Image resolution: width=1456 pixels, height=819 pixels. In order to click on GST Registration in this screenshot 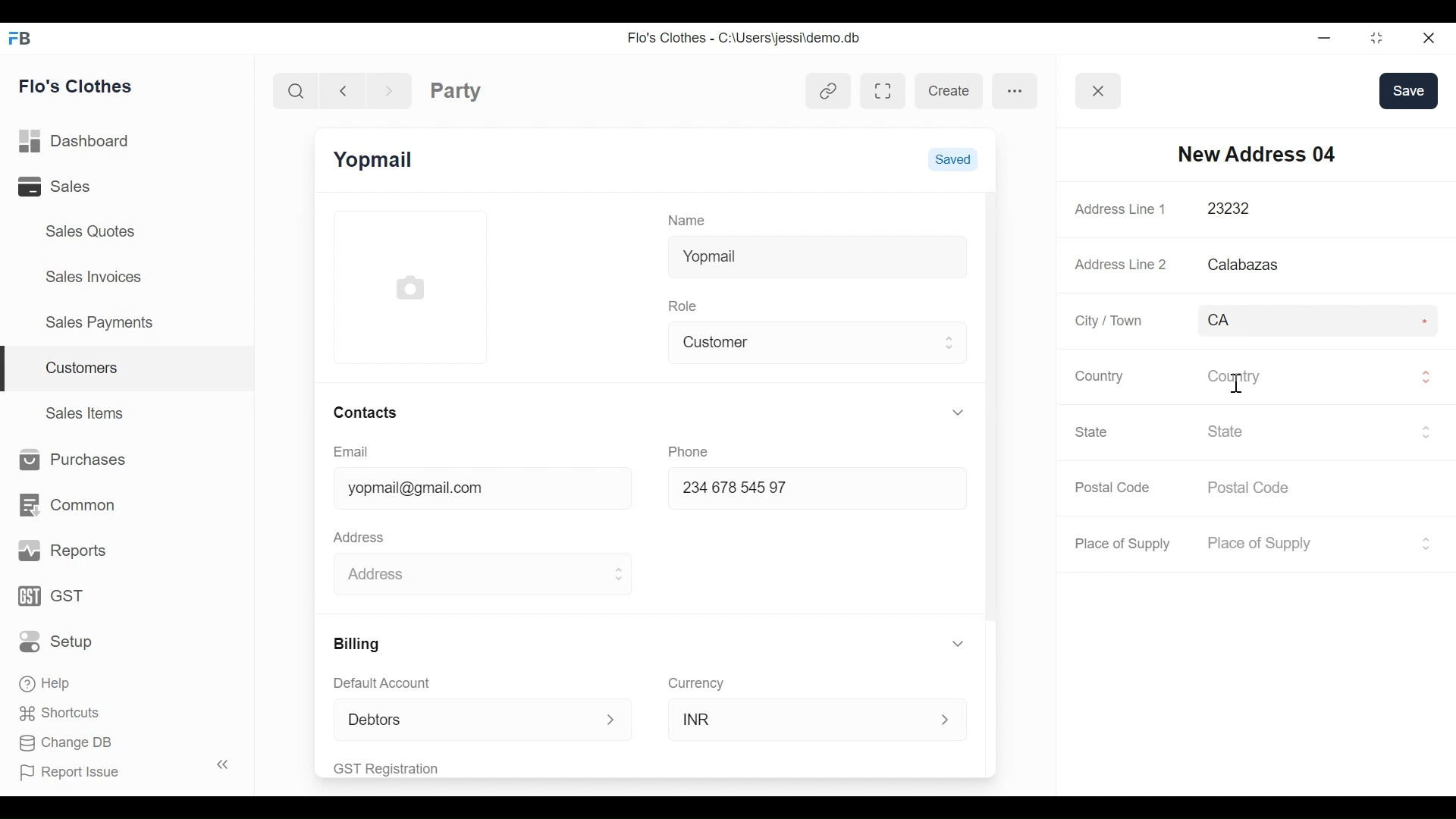, I will do `click(405, 768)`.